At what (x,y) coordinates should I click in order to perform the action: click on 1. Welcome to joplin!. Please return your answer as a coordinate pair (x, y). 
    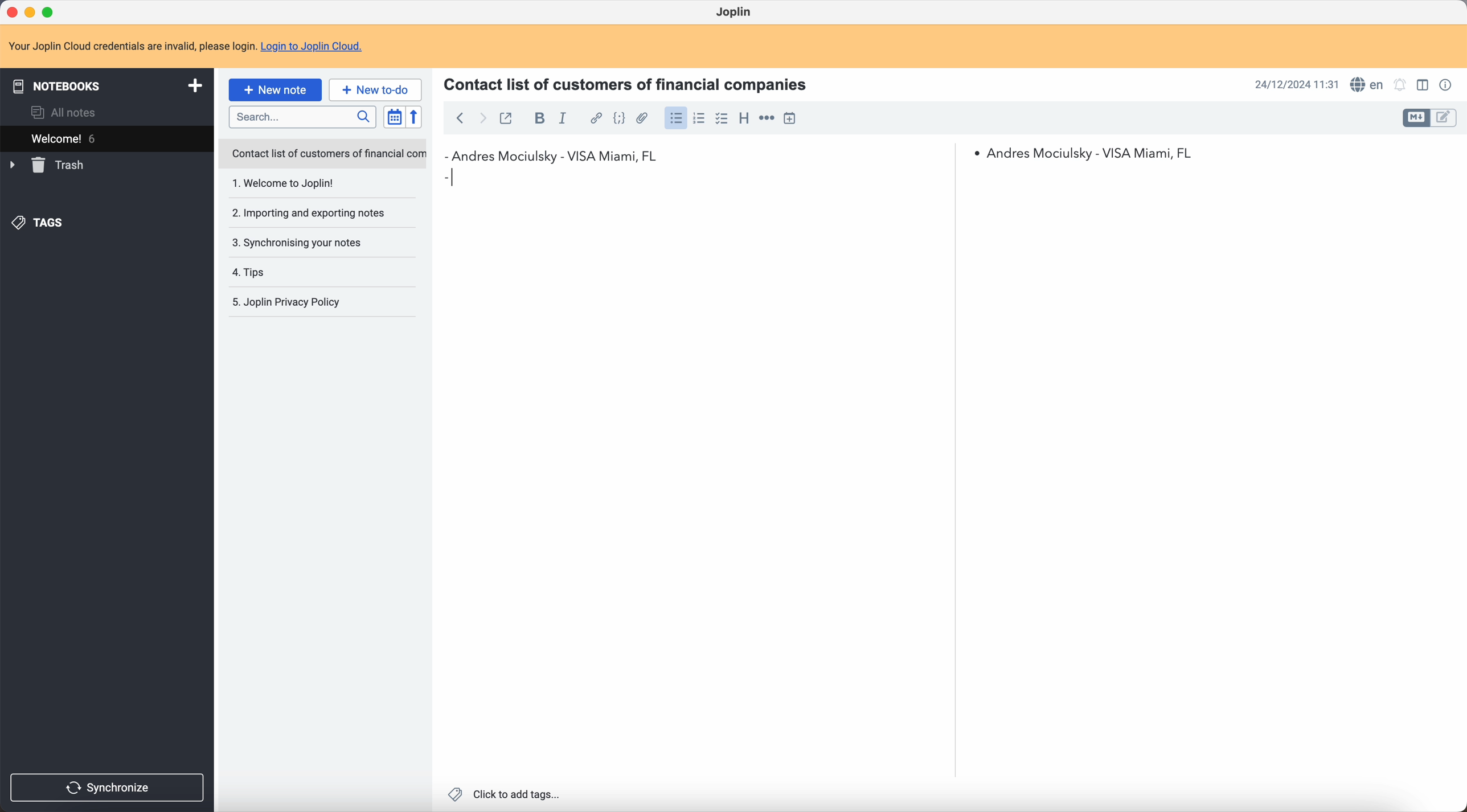
    Looking at the image, I should click on (310, 184).